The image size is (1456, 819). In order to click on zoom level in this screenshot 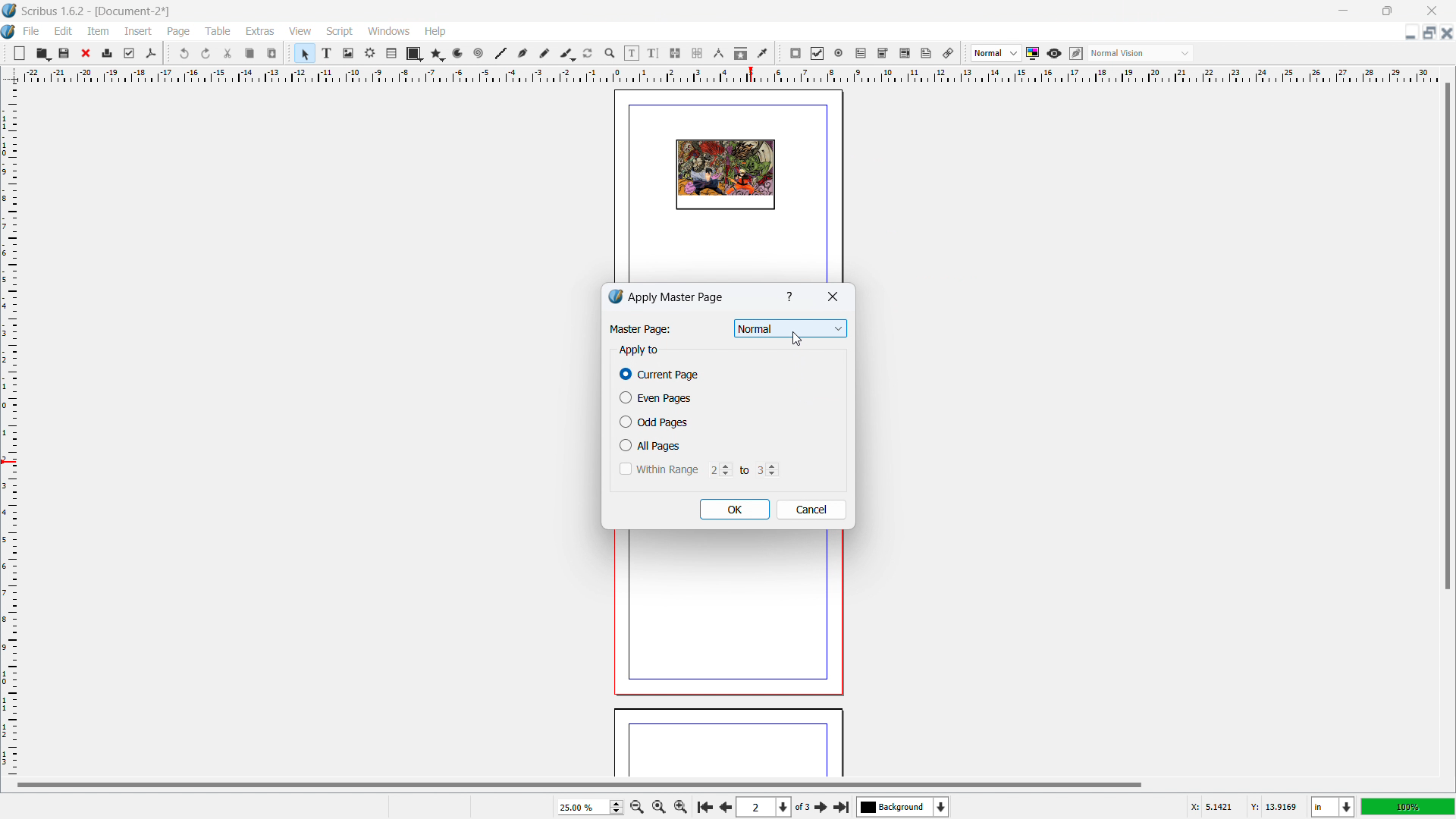, I will do `click(1408, 806)`.